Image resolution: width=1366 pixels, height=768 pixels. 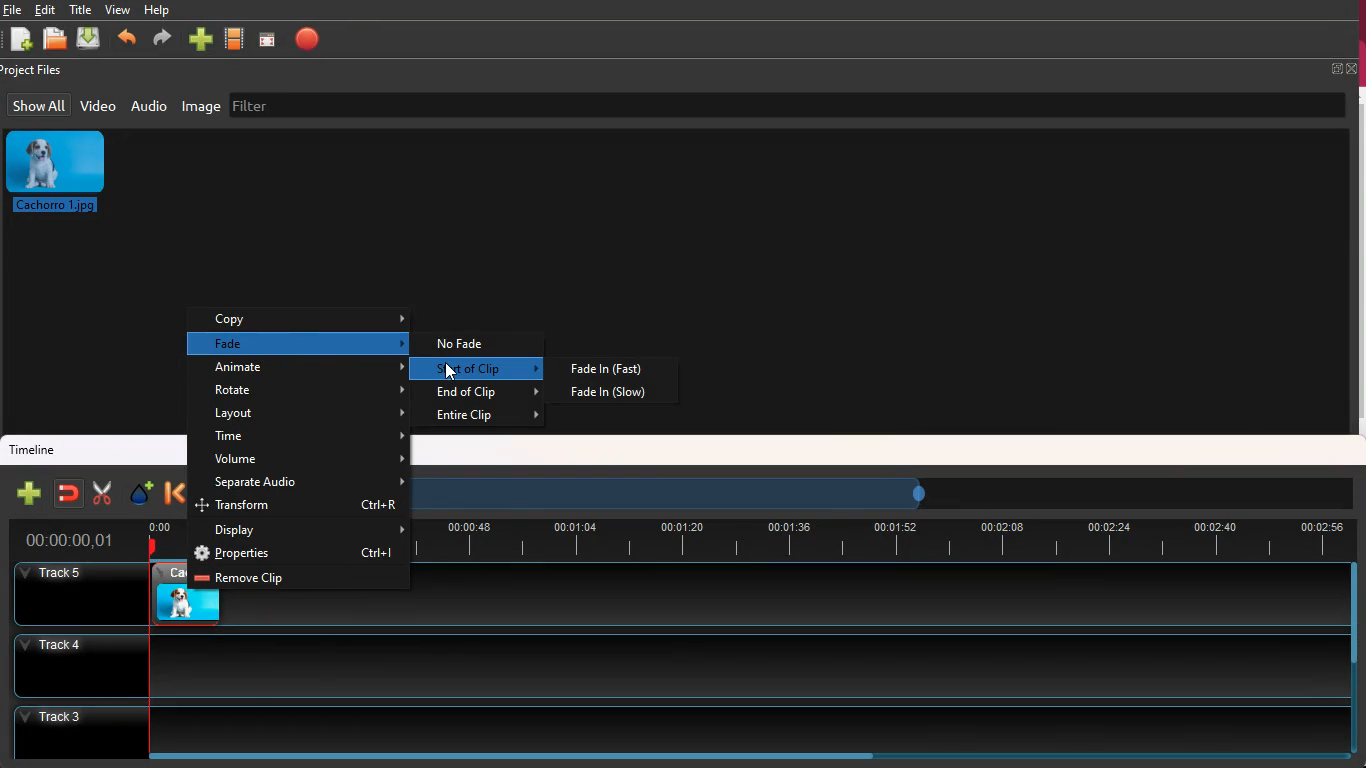 I want to click on open files, so click(x=55, y=39).